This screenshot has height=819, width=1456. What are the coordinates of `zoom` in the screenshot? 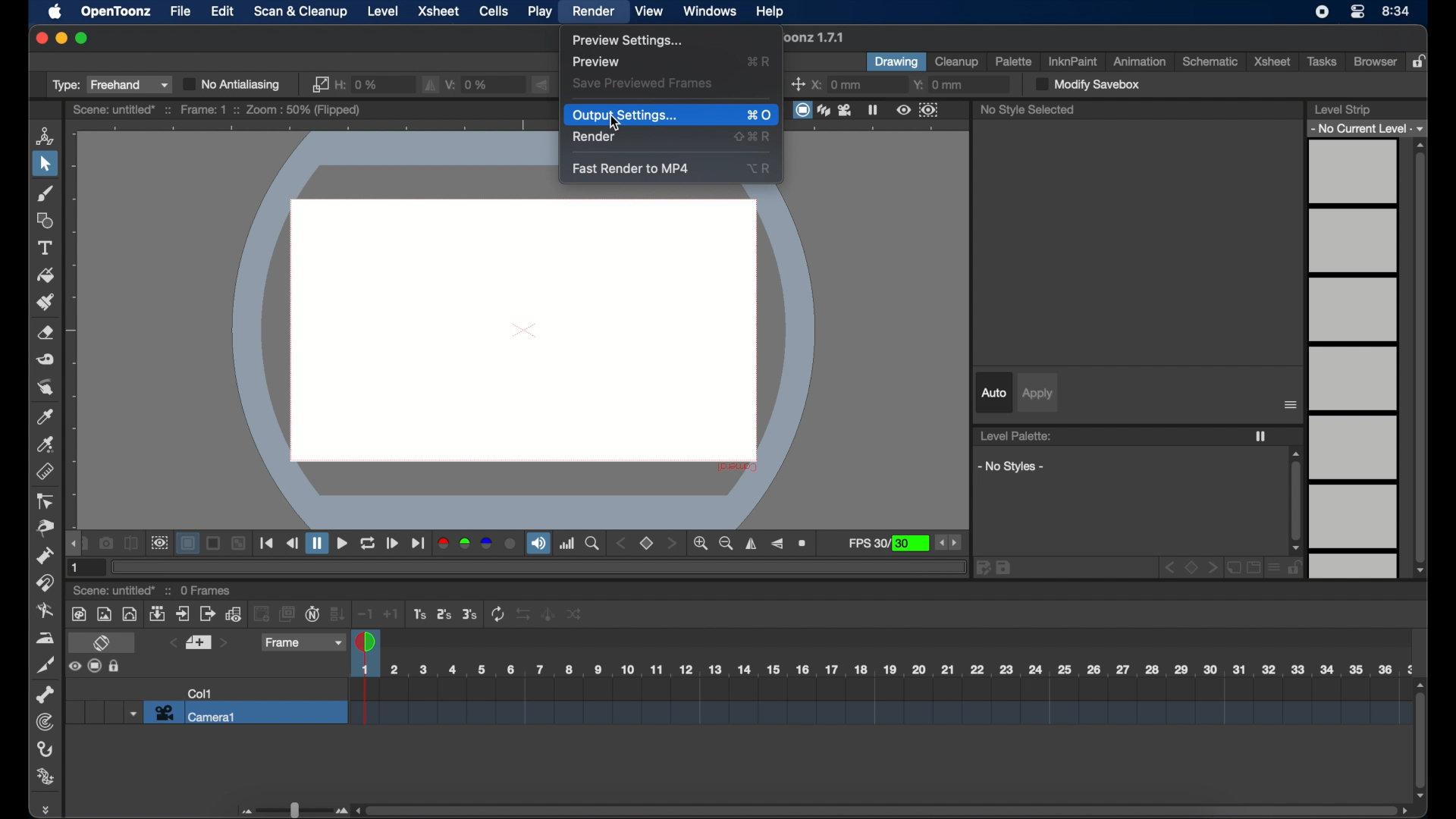 It's located at (805, 544).